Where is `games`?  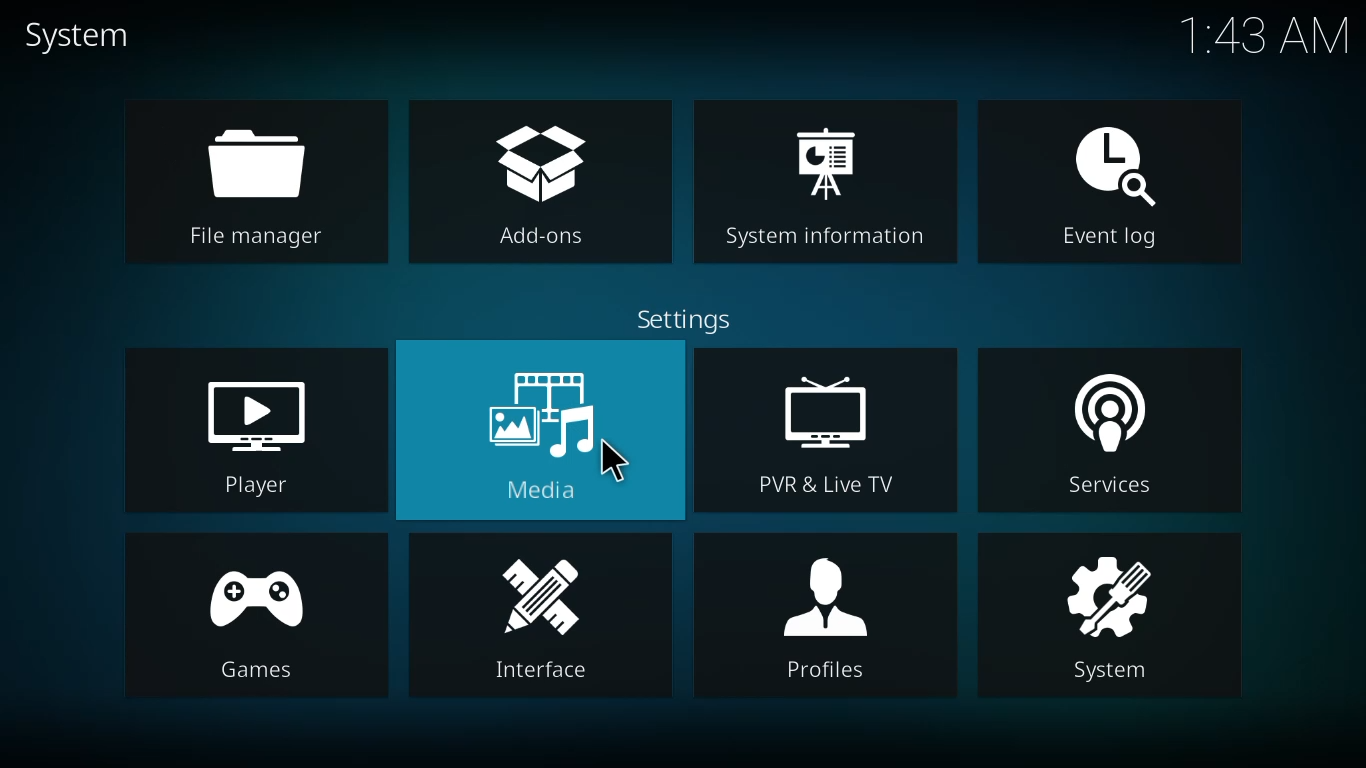 games is located at coordinates (257, 619).